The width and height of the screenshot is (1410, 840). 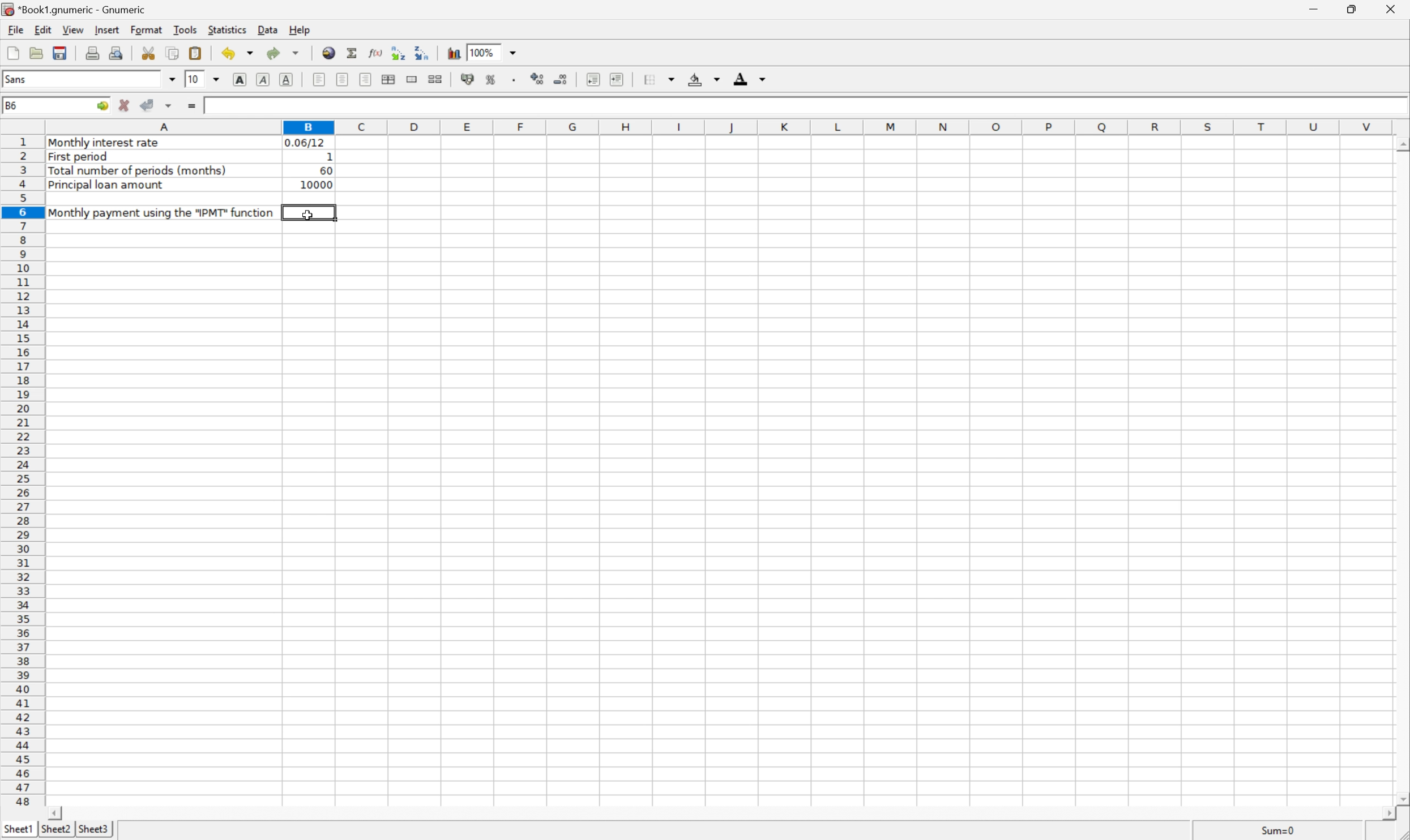 I want to click on 100%, so click(x=481, y=52).